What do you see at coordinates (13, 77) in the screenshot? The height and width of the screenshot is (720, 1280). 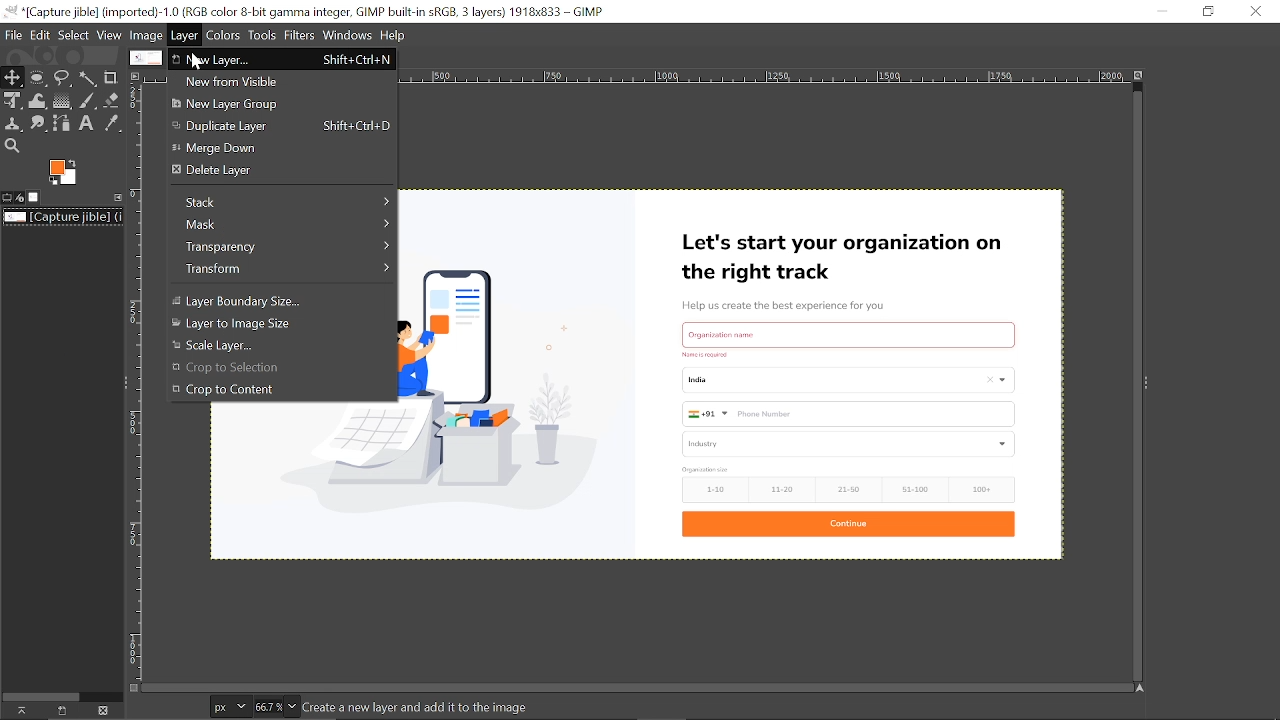 I see `Move tool` at bounding box center [13, 77].